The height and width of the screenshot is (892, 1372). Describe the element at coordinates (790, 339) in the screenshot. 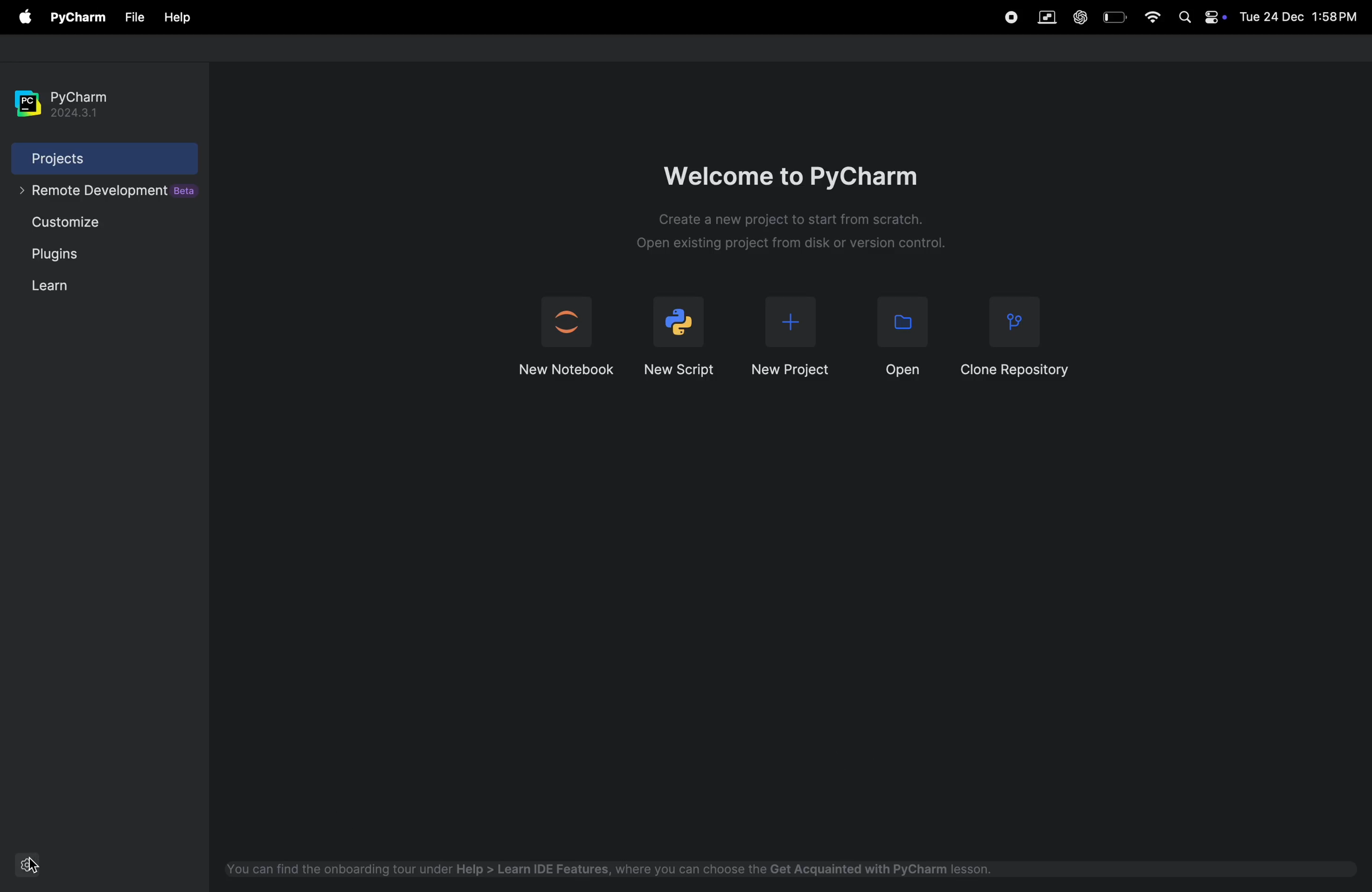

I see `new project` at that location.